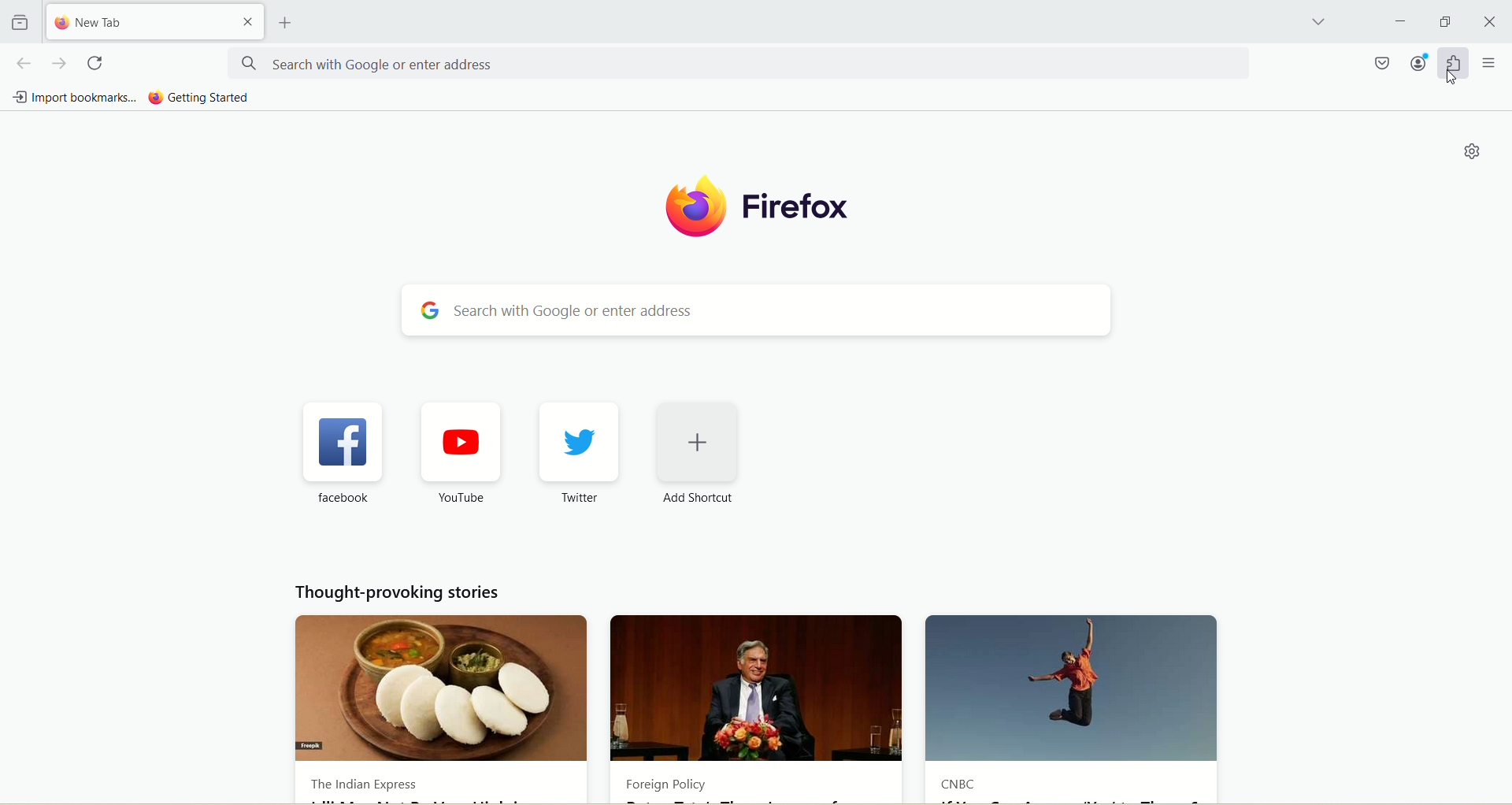 This screenshot has height=805, width=1512. I want to click on Move backward, so click(23, 63).